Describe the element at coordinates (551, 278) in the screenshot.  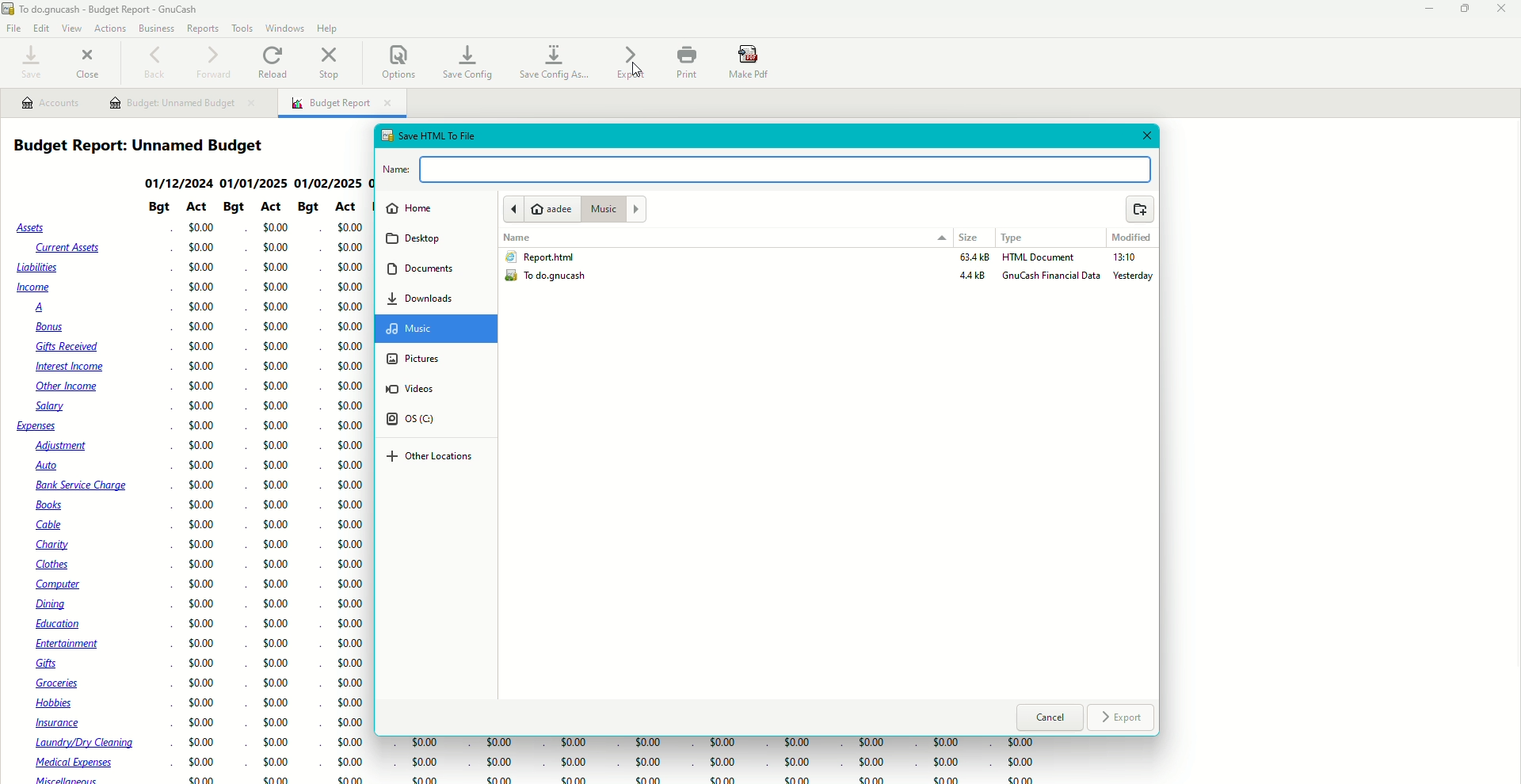
I see `To do` at that location.